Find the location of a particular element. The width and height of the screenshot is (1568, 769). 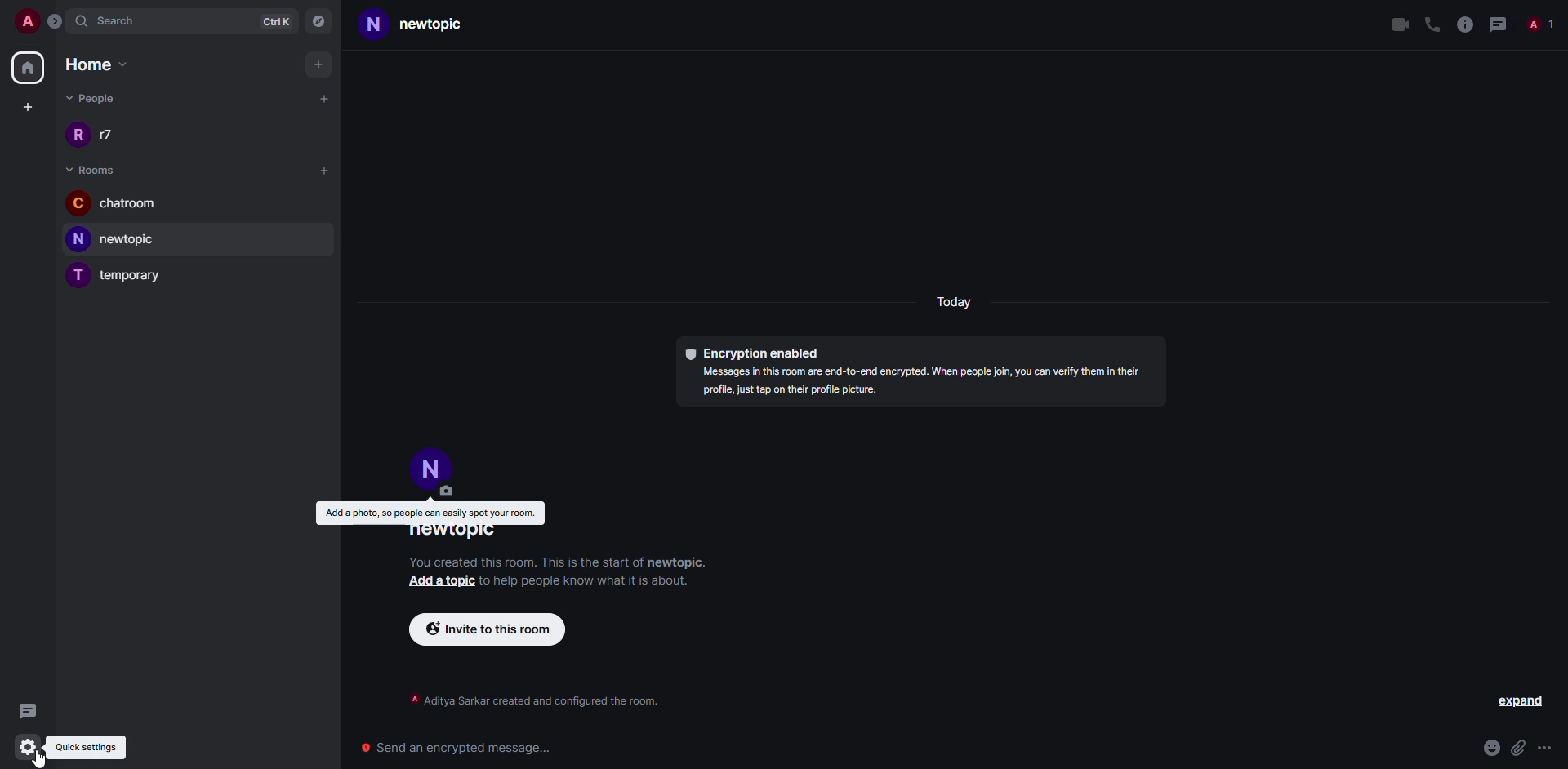

invite to this room is located at coordinates (488, 630).